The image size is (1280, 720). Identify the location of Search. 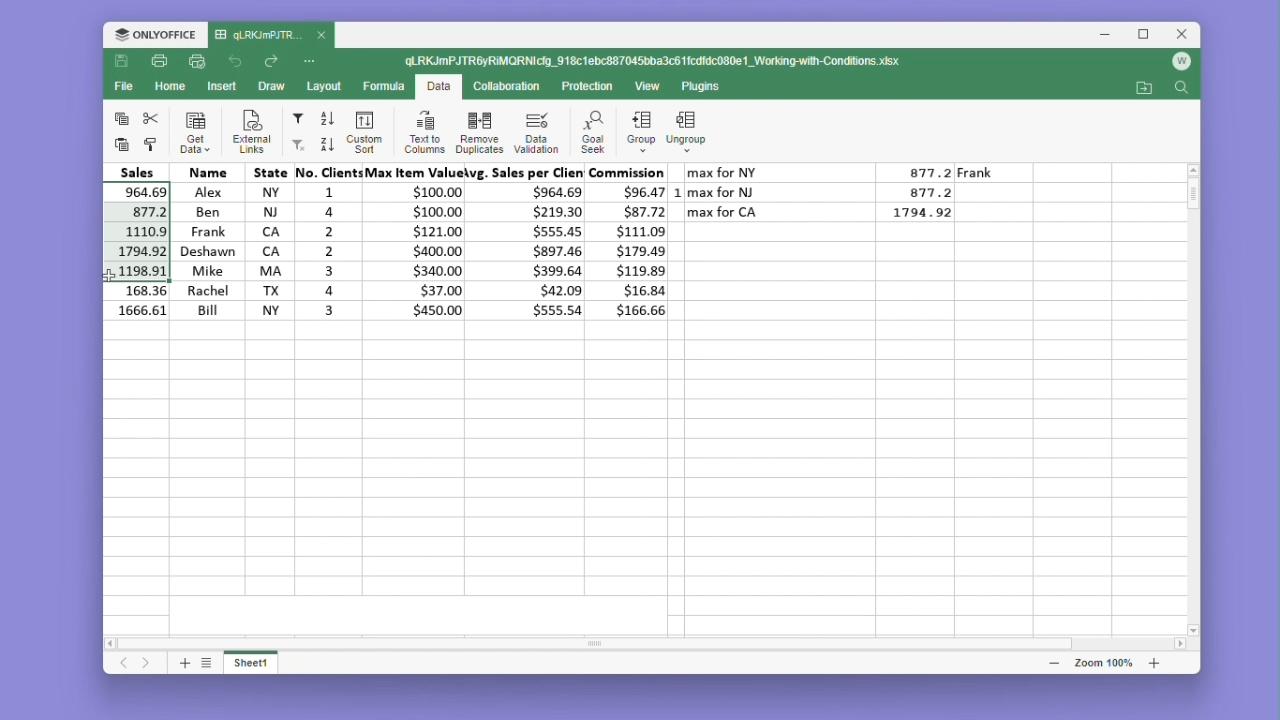
(1181, 89).